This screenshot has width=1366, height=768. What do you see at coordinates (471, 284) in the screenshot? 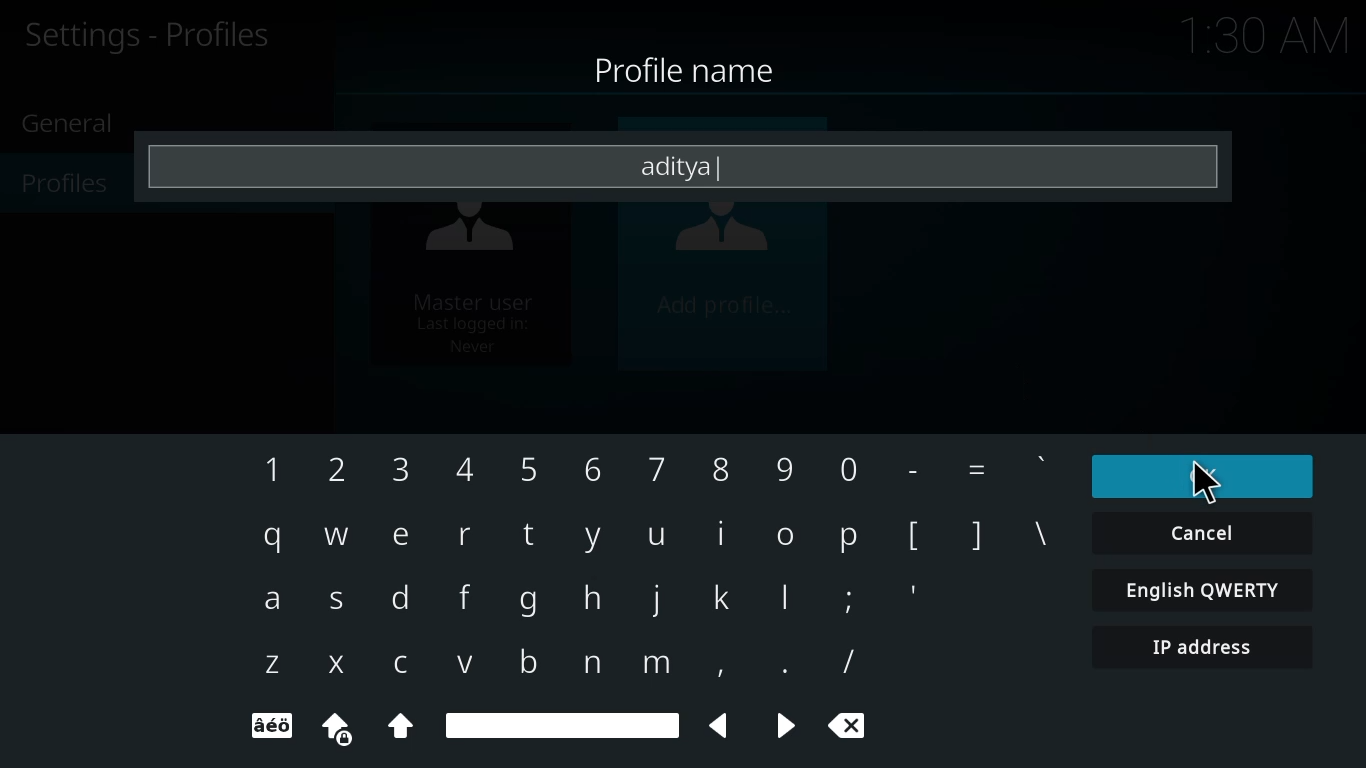
I see `master user` at bounding box center [471, 284].